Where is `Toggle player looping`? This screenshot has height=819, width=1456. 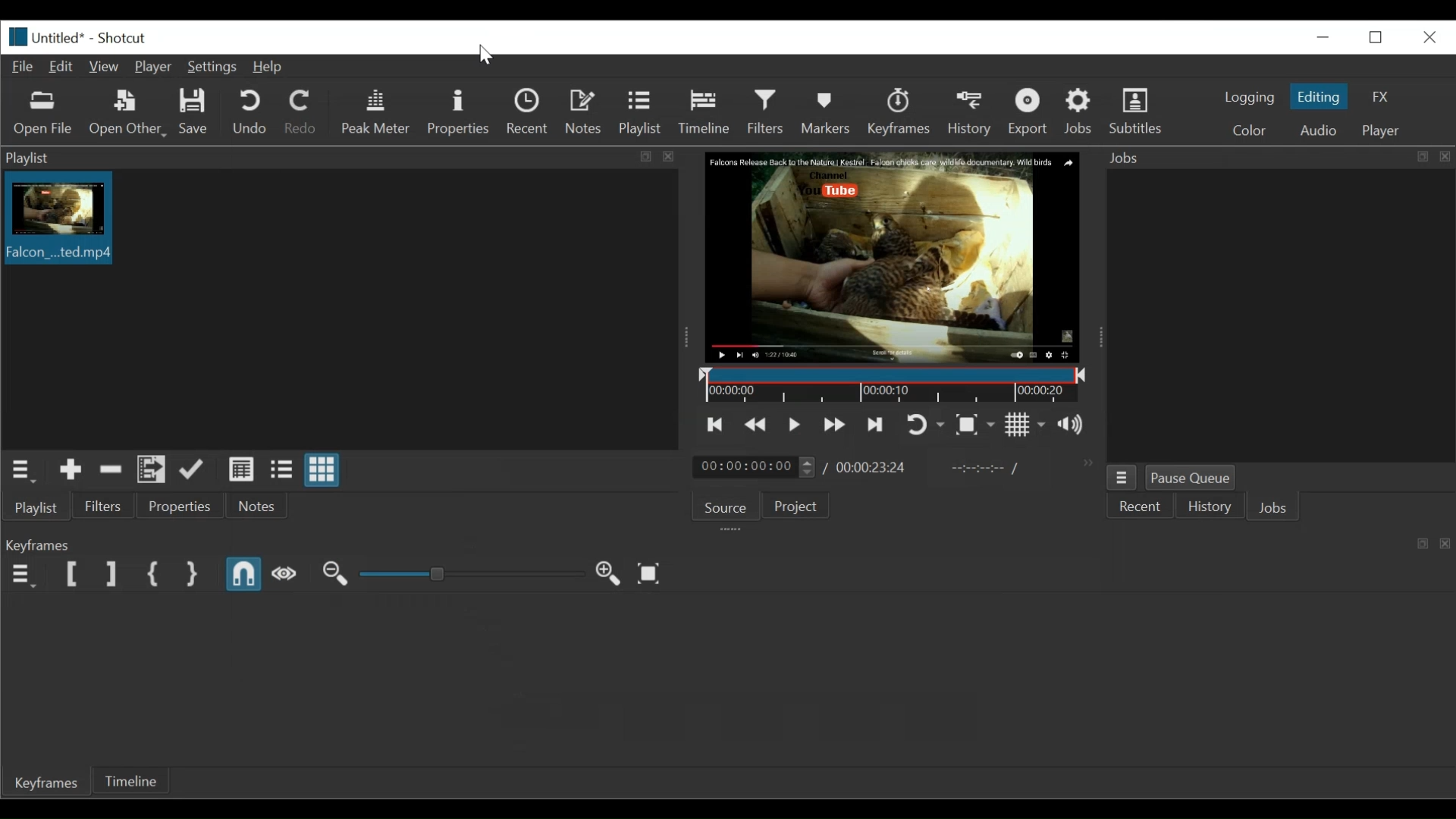
Toggle player looping is located at coordinates (925, 425).